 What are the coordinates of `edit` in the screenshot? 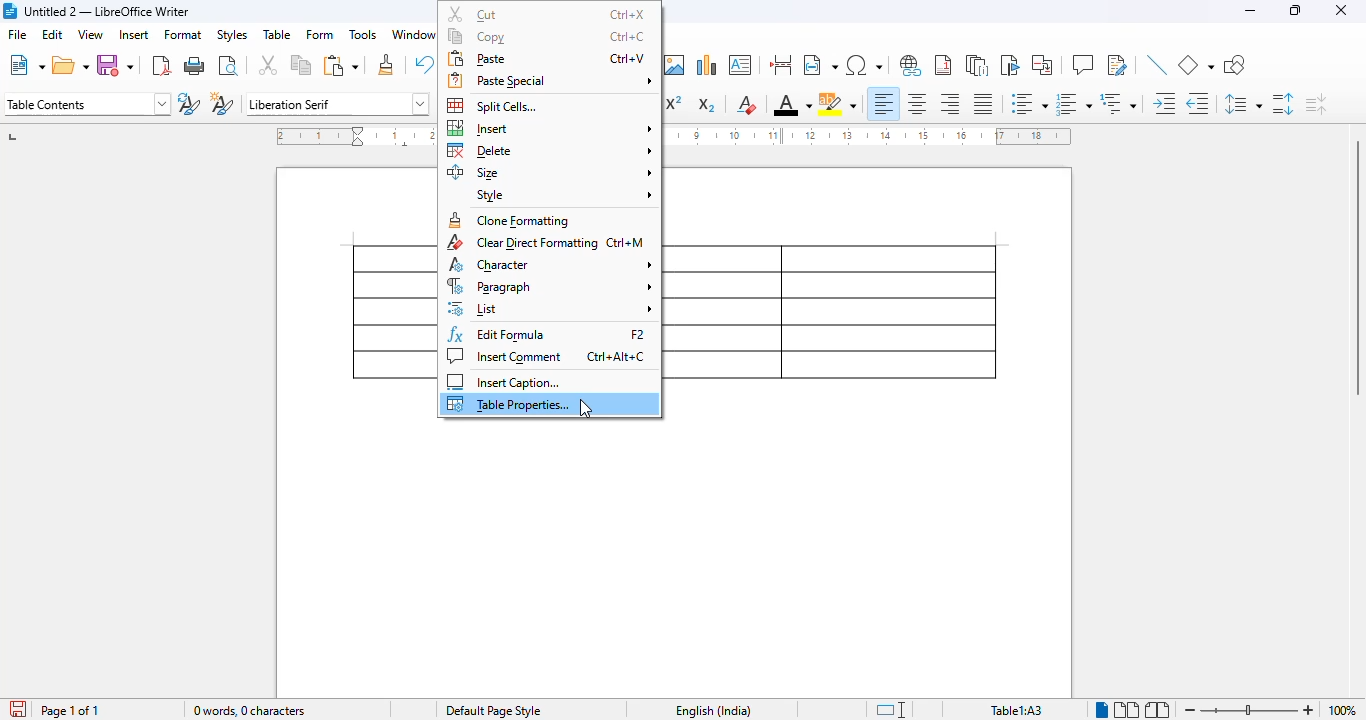 It's located at (53, 34).